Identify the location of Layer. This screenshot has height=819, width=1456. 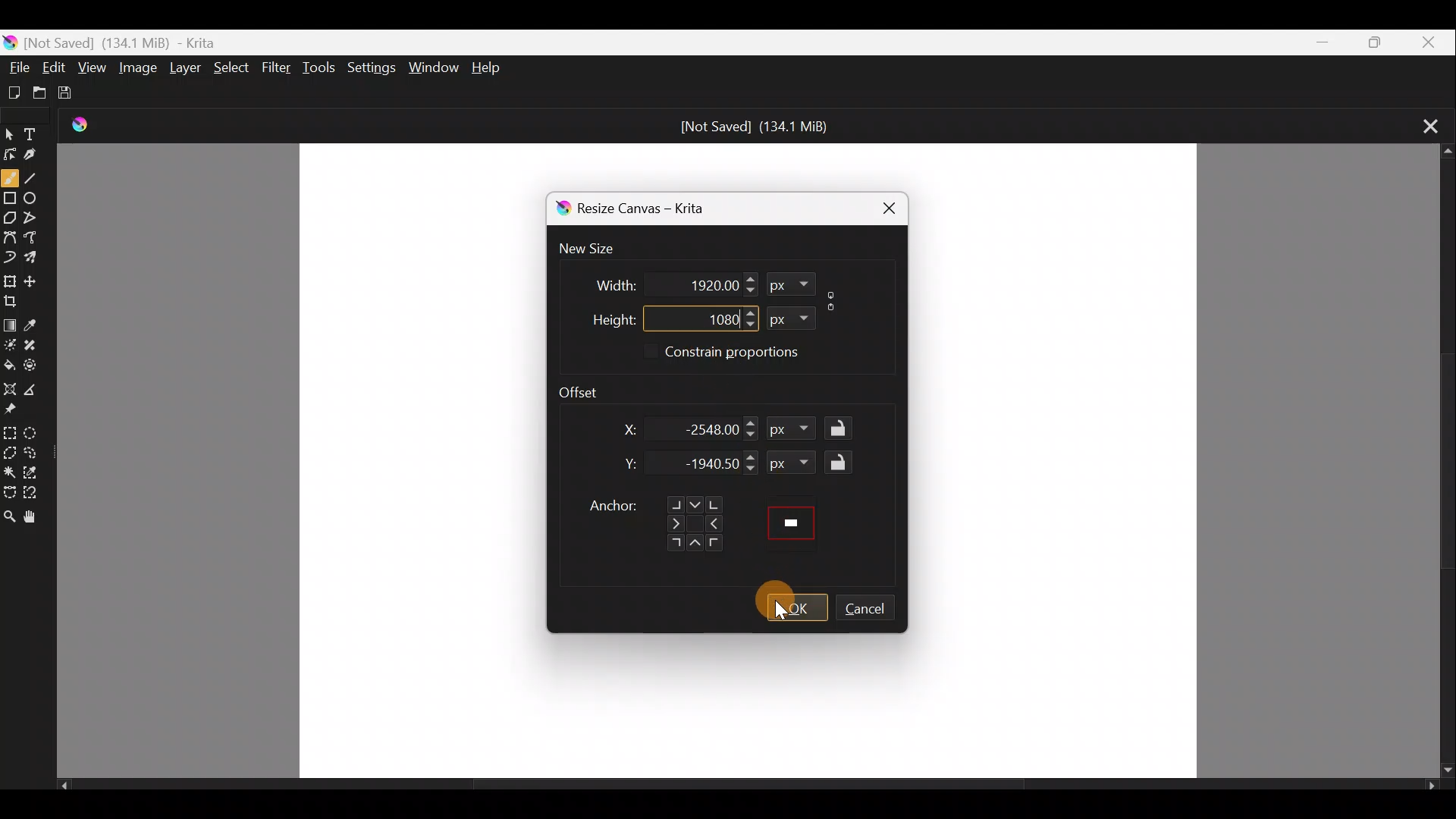
(187, 71).